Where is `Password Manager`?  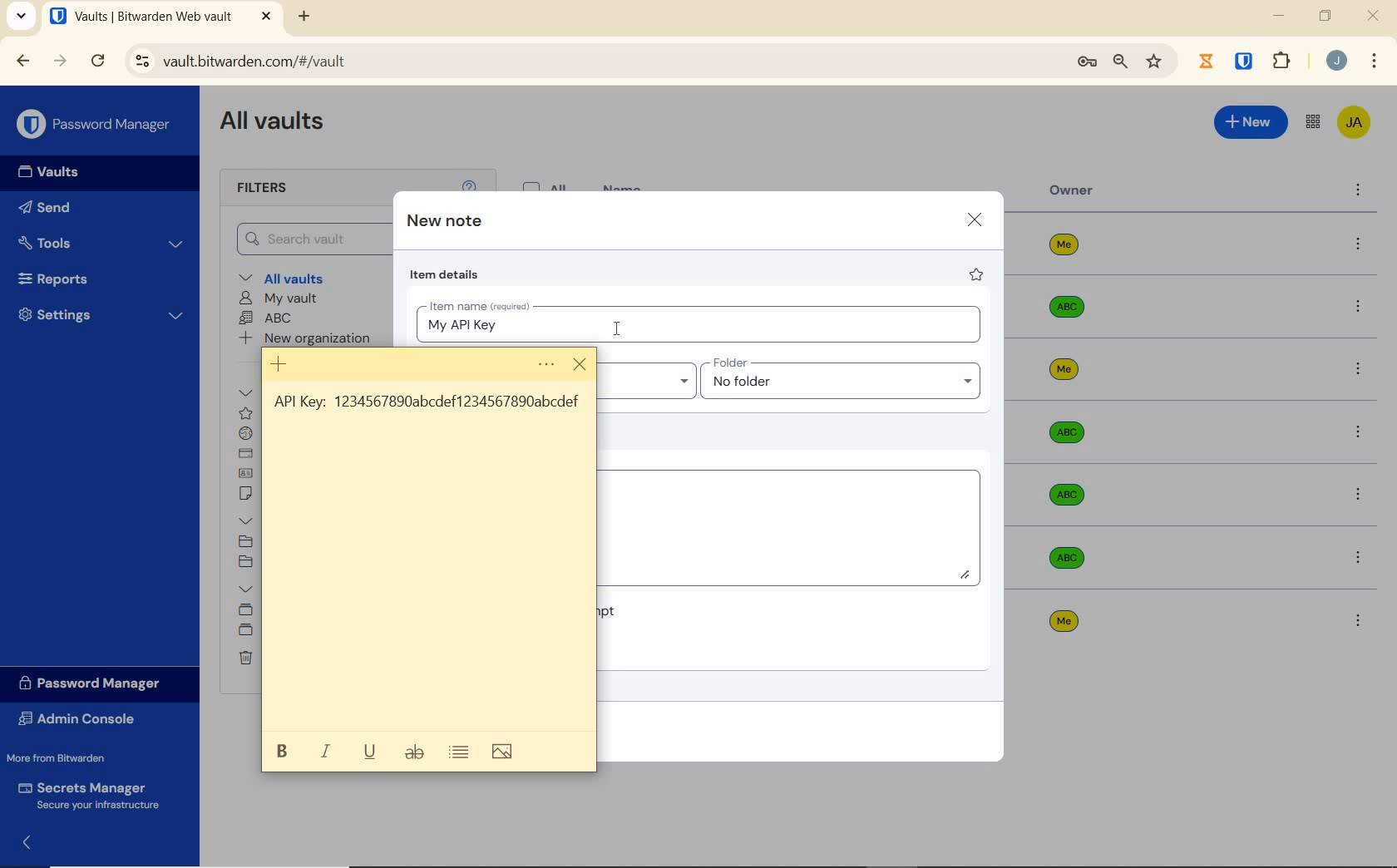 Password Manager is located at coordinates (95, 683).